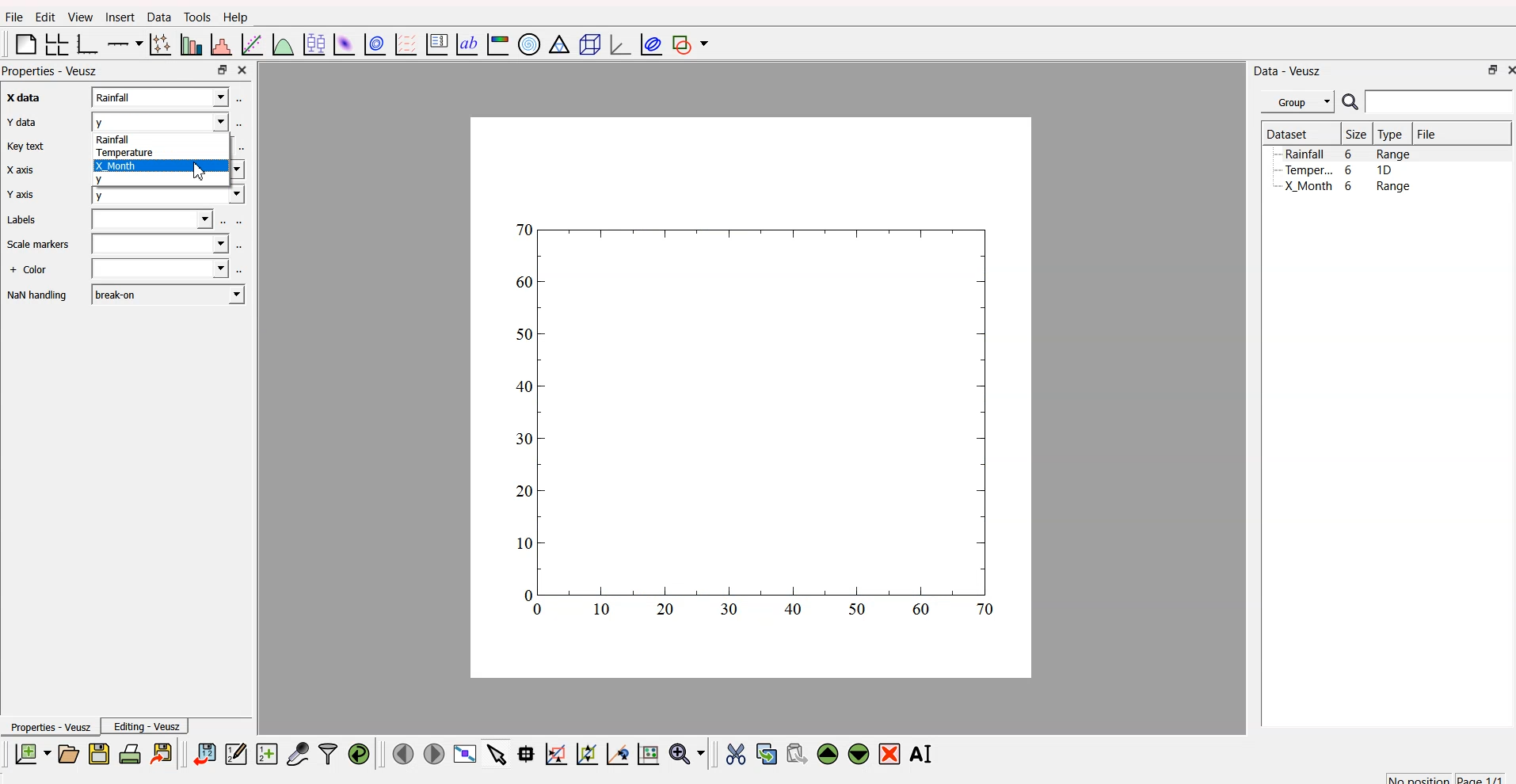 The image size is (1516, 784). Describe the element at coordinates (160, 120) in the screenshot. I see `y` at that location.